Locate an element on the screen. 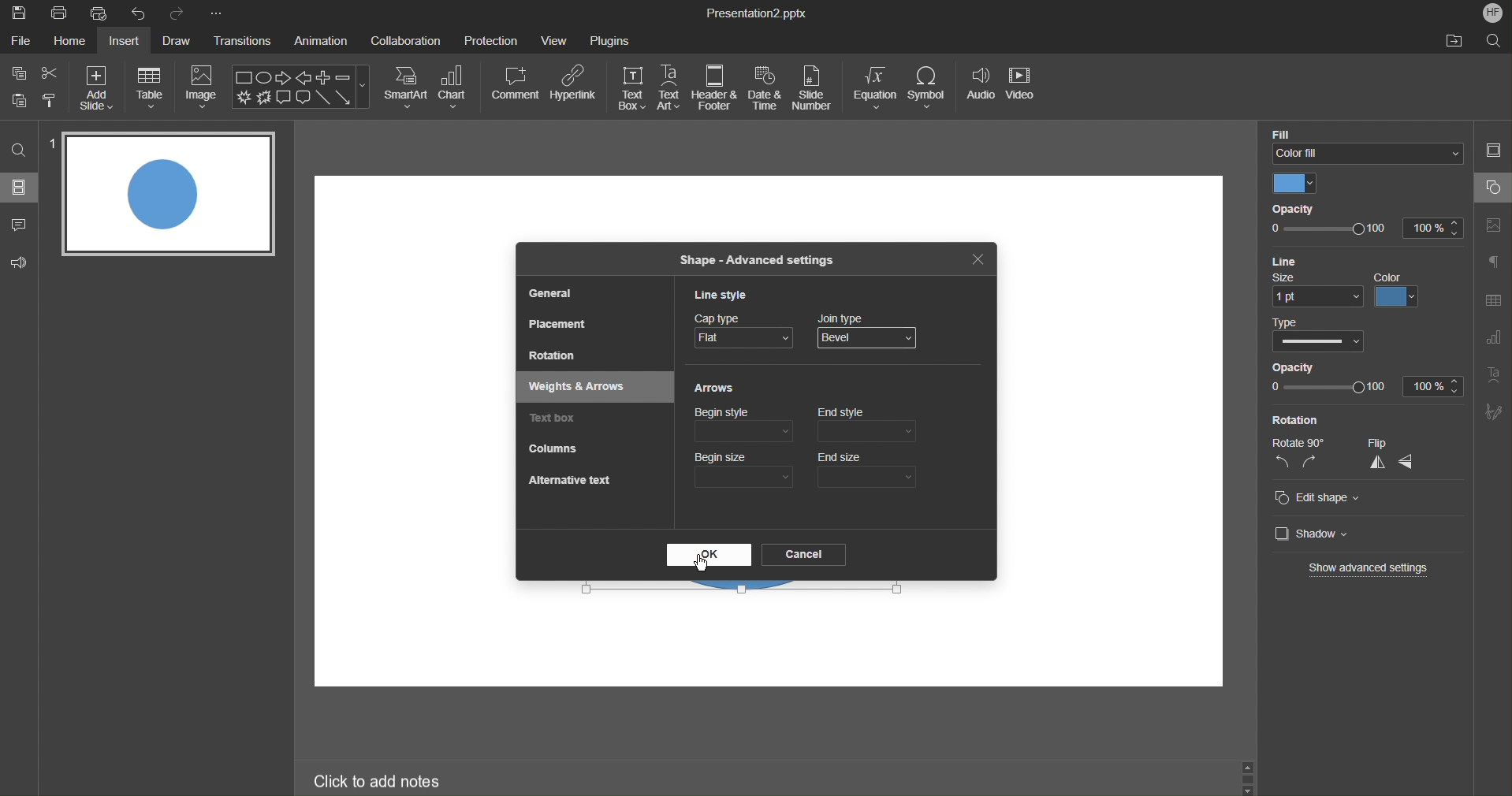 The width and height of the screenshot is (1512, 796). End size is located at coordinates (870, 470).